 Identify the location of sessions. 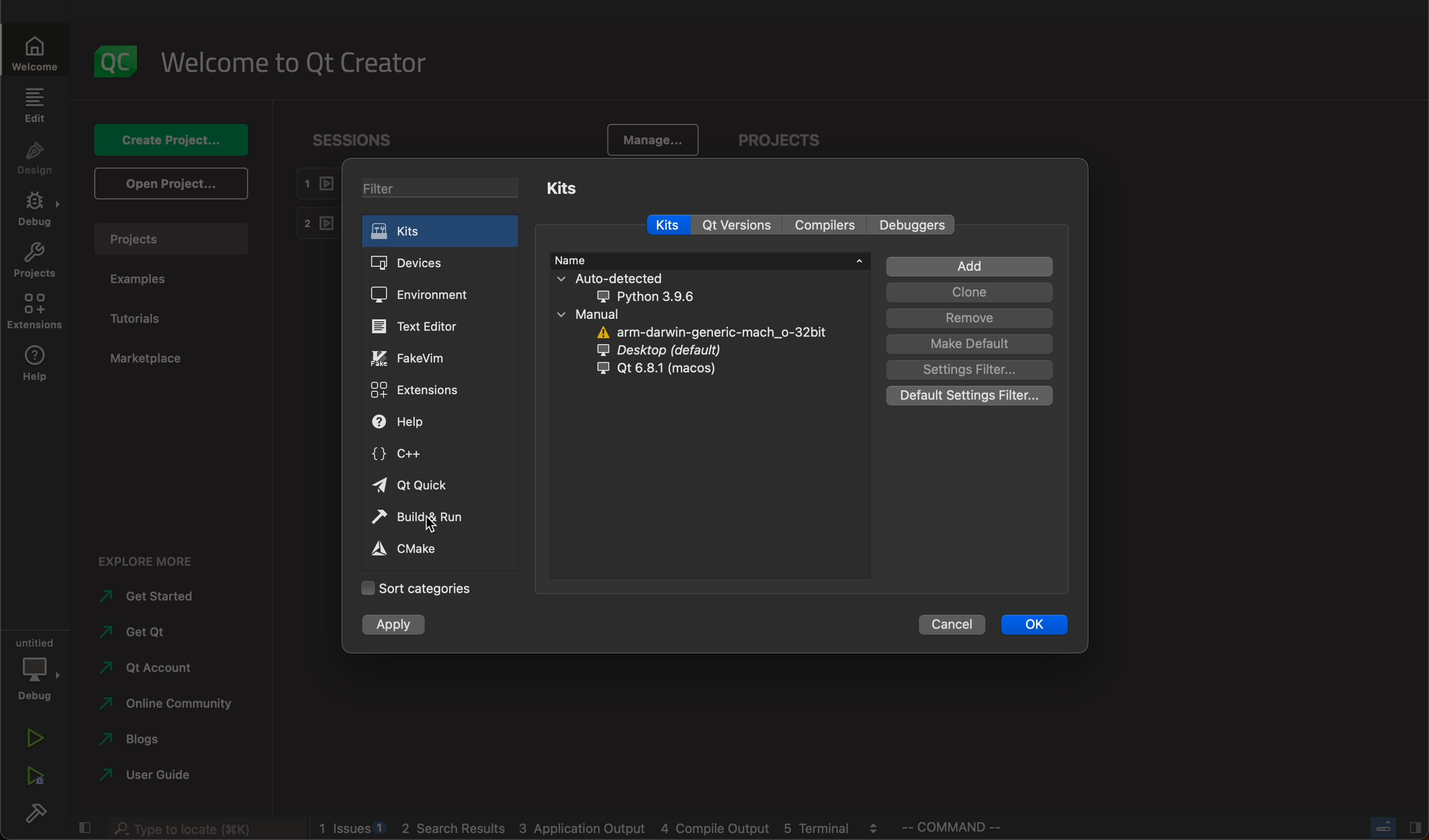
(360, 138).